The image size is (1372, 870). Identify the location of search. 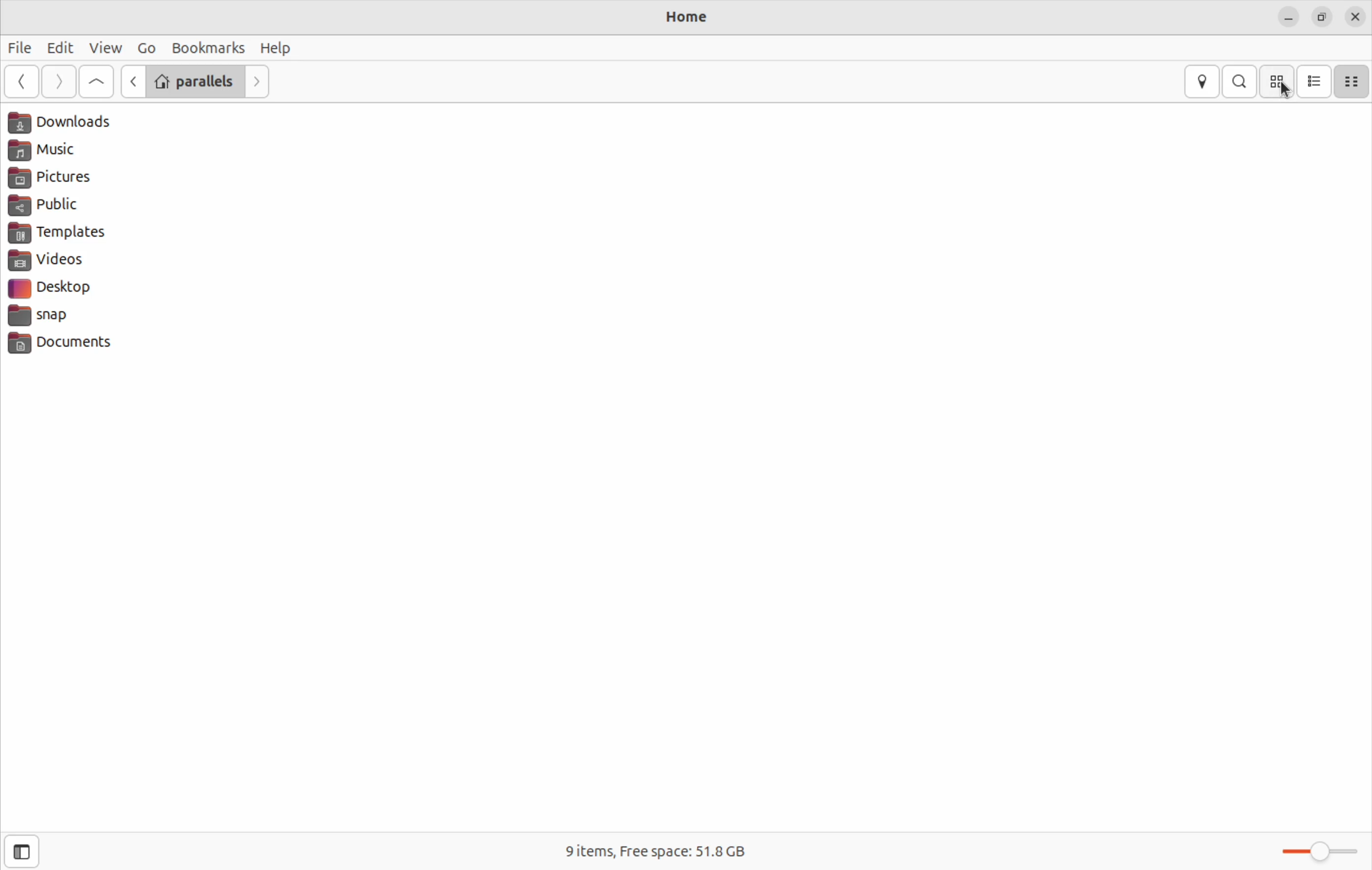
(1243, 80).